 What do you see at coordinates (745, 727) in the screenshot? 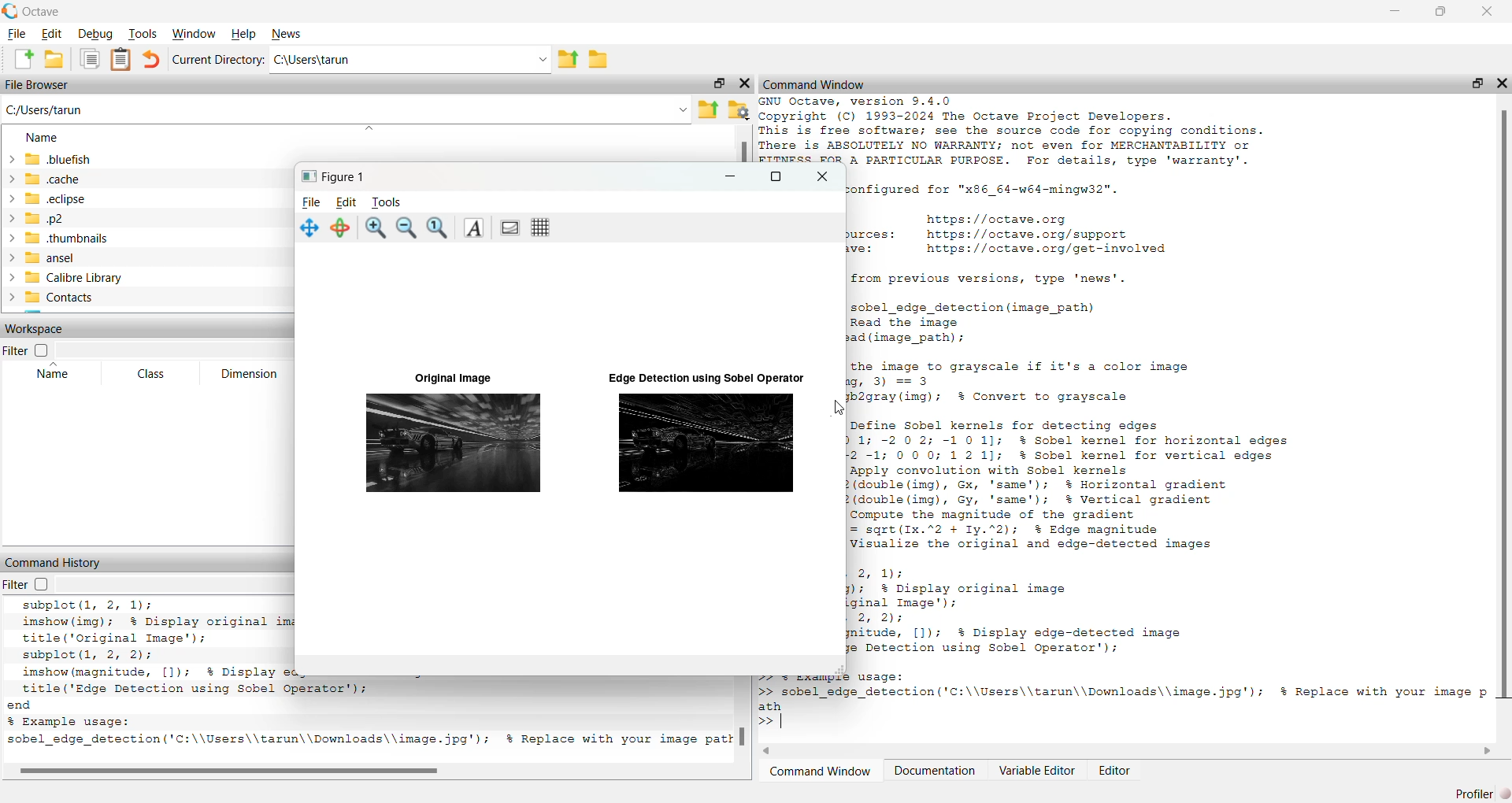
I see `vertical scroll bar` at bounding box center [745, 727].